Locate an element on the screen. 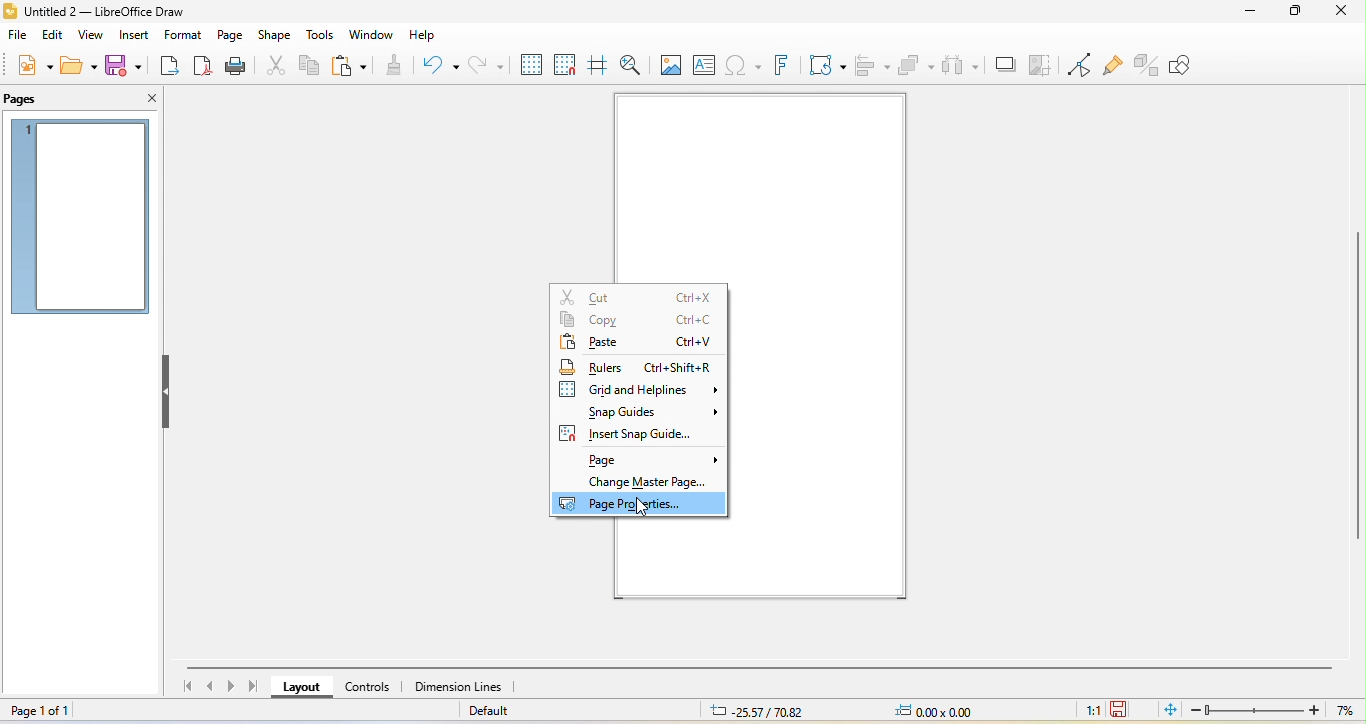 Image resolution: width=1366 pixels, height=724 pixels. page is located at coordinates (653, 460).